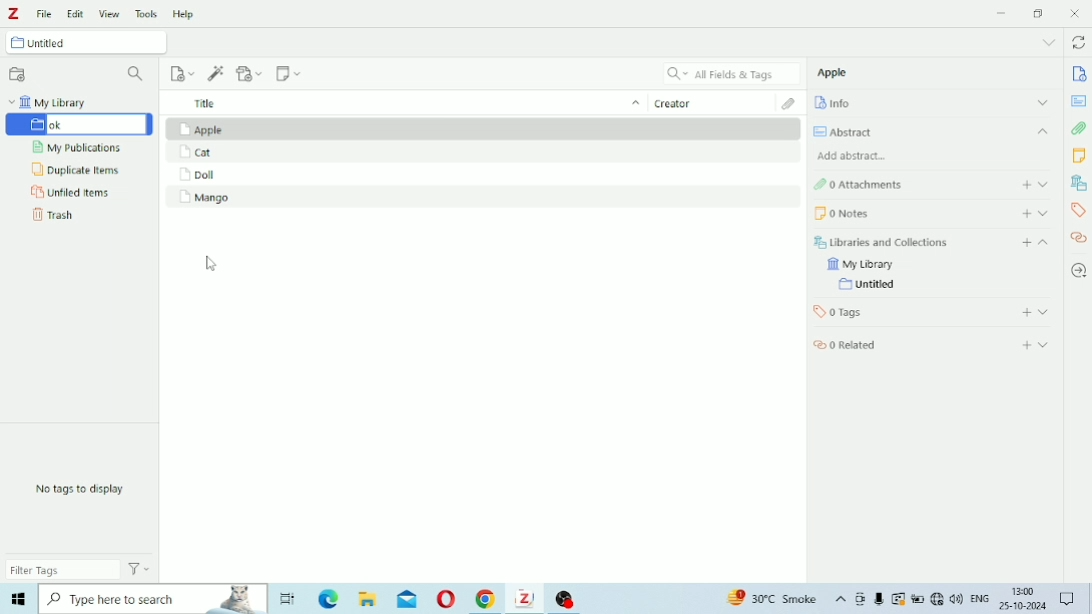  Describe the element at coordinates (1050, 41) in the screenshot. I see `List all tabs` at that location.